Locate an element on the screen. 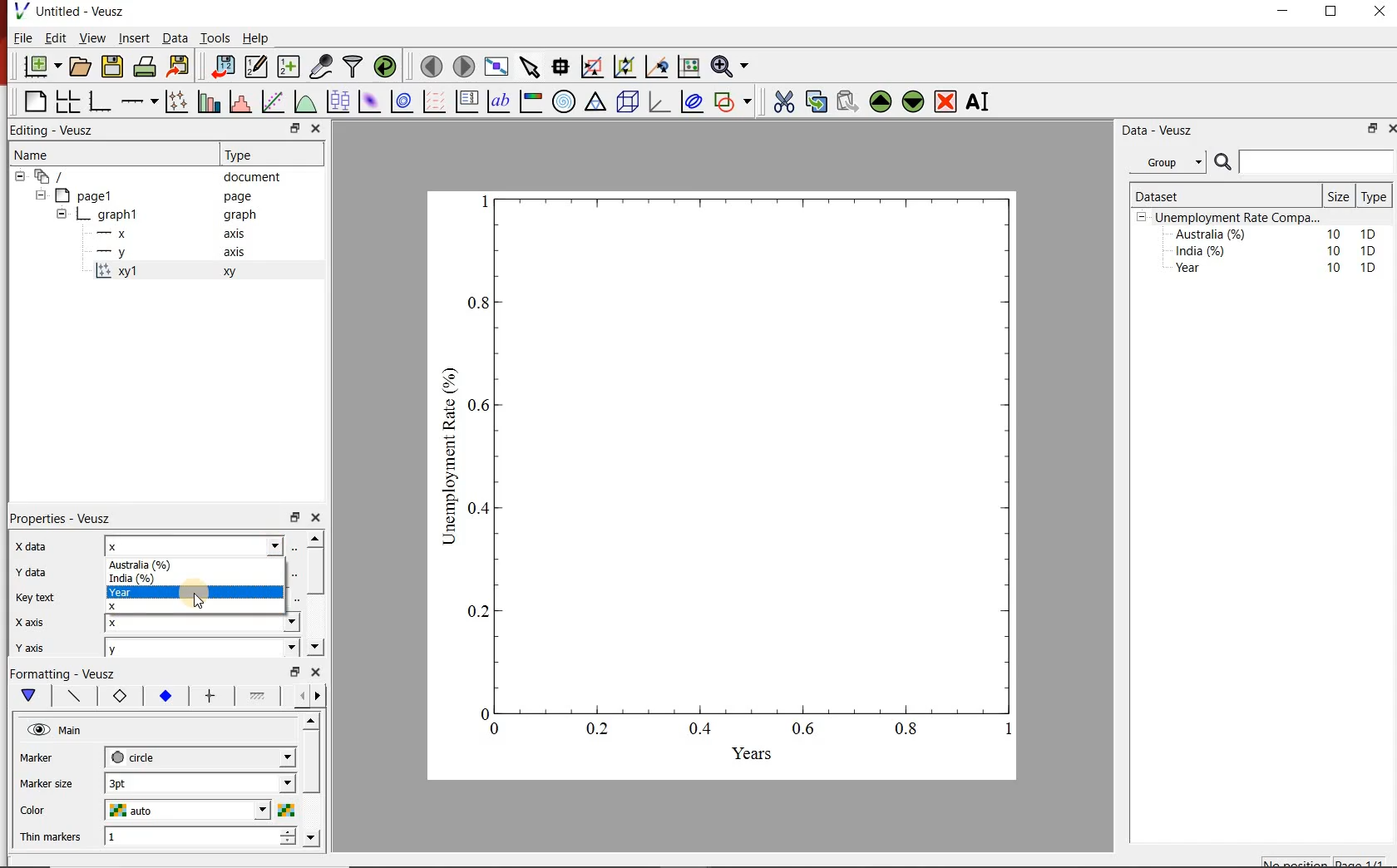 The image size is (1397, 868). circle is located at coordinates (198, 755).